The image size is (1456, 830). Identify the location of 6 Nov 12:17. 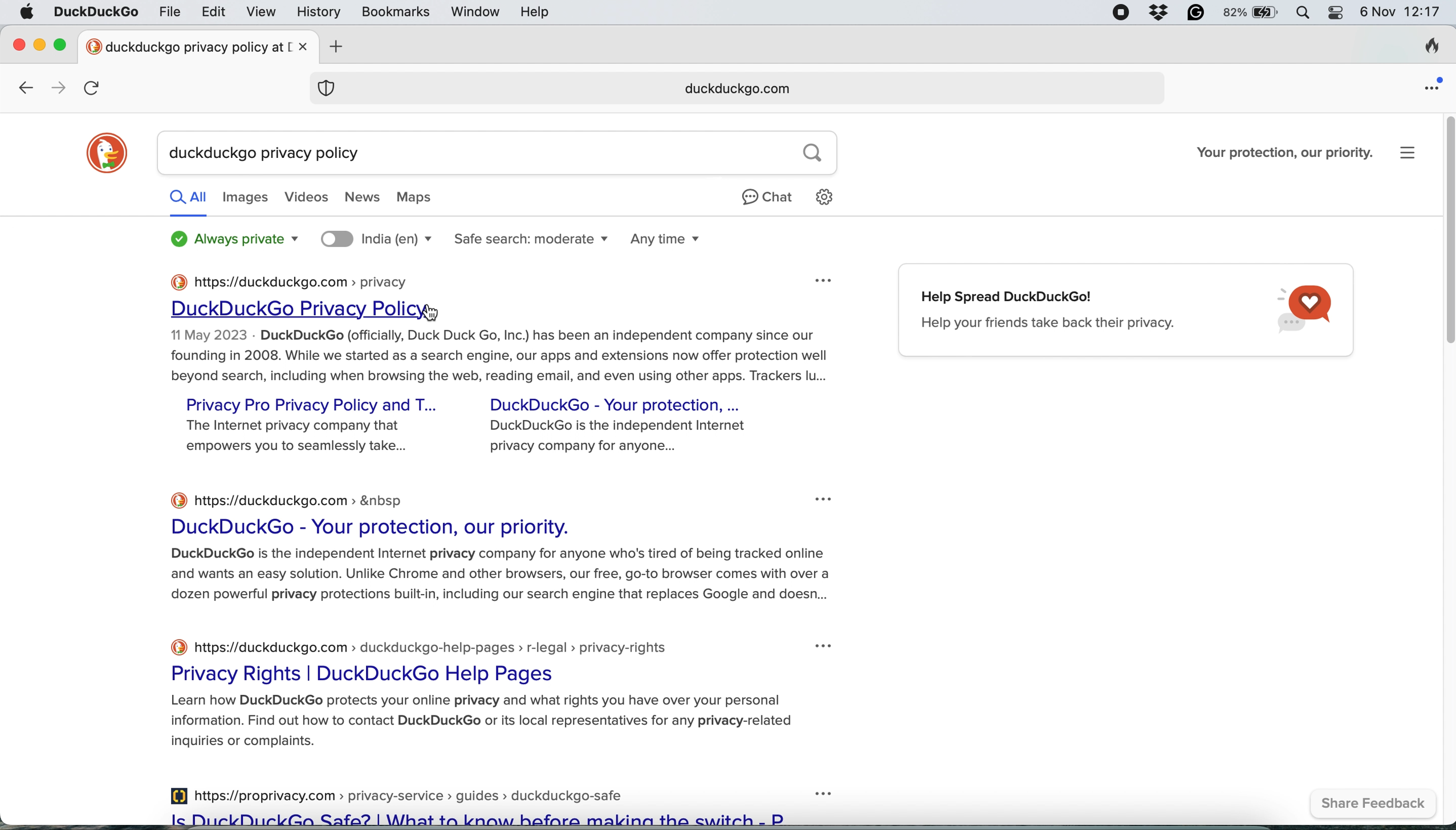
(1401, 14).